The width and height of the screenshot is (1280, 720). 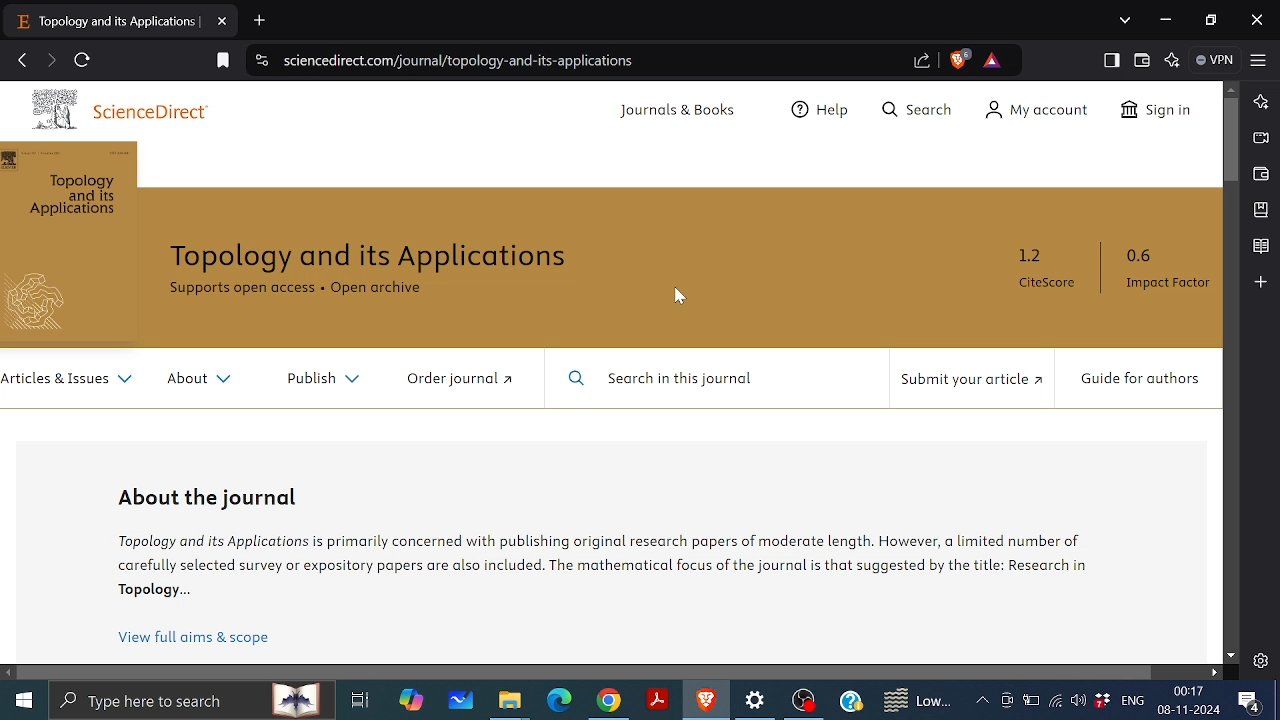 What do you see at coordinates (1208, 20) in the screenshot?
I see `restore down` at bounding box center [1208, 20].